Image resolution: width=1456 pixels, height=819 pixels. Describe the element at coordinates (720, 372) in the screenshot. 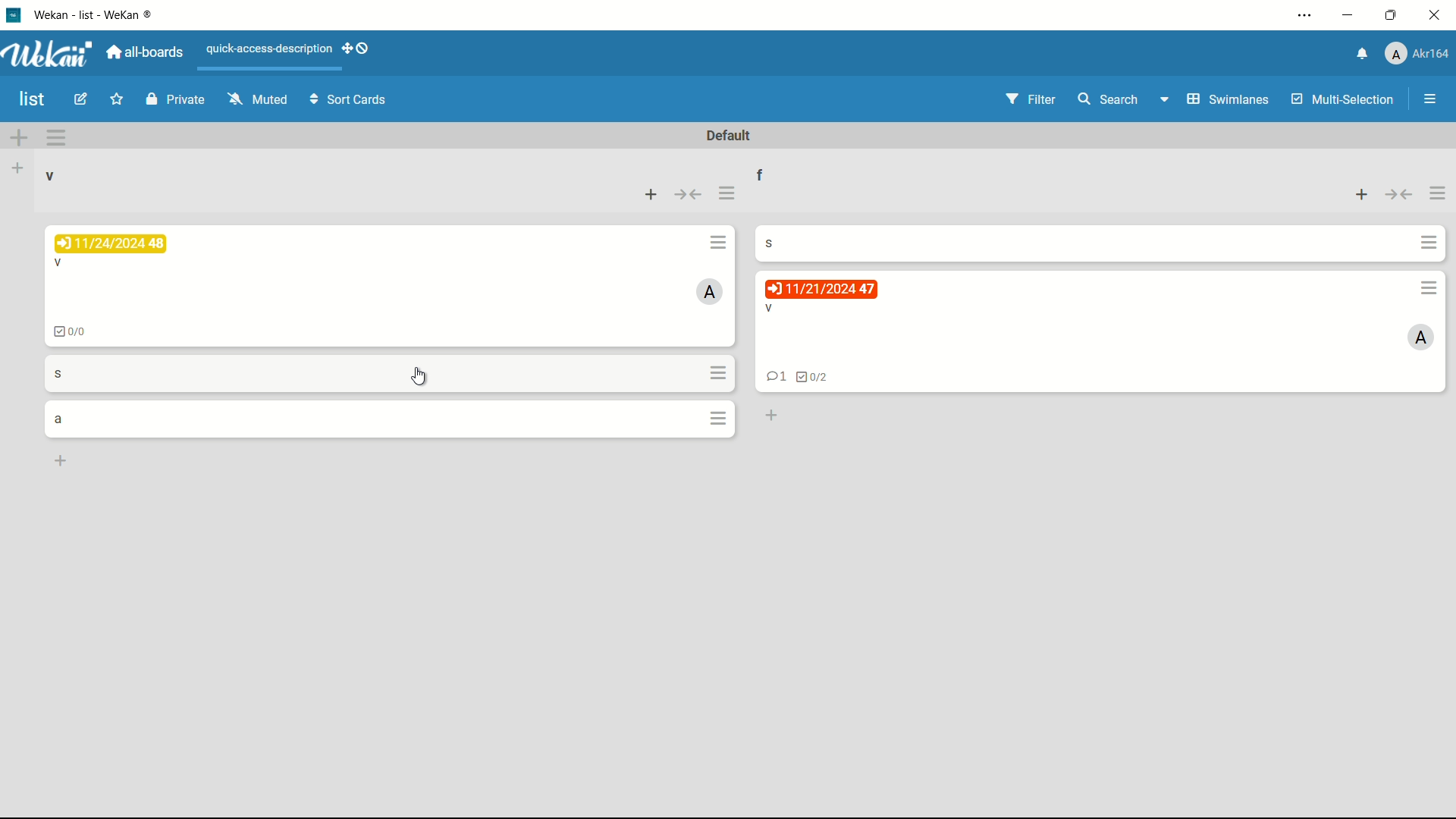

I see `card actions` at that location.